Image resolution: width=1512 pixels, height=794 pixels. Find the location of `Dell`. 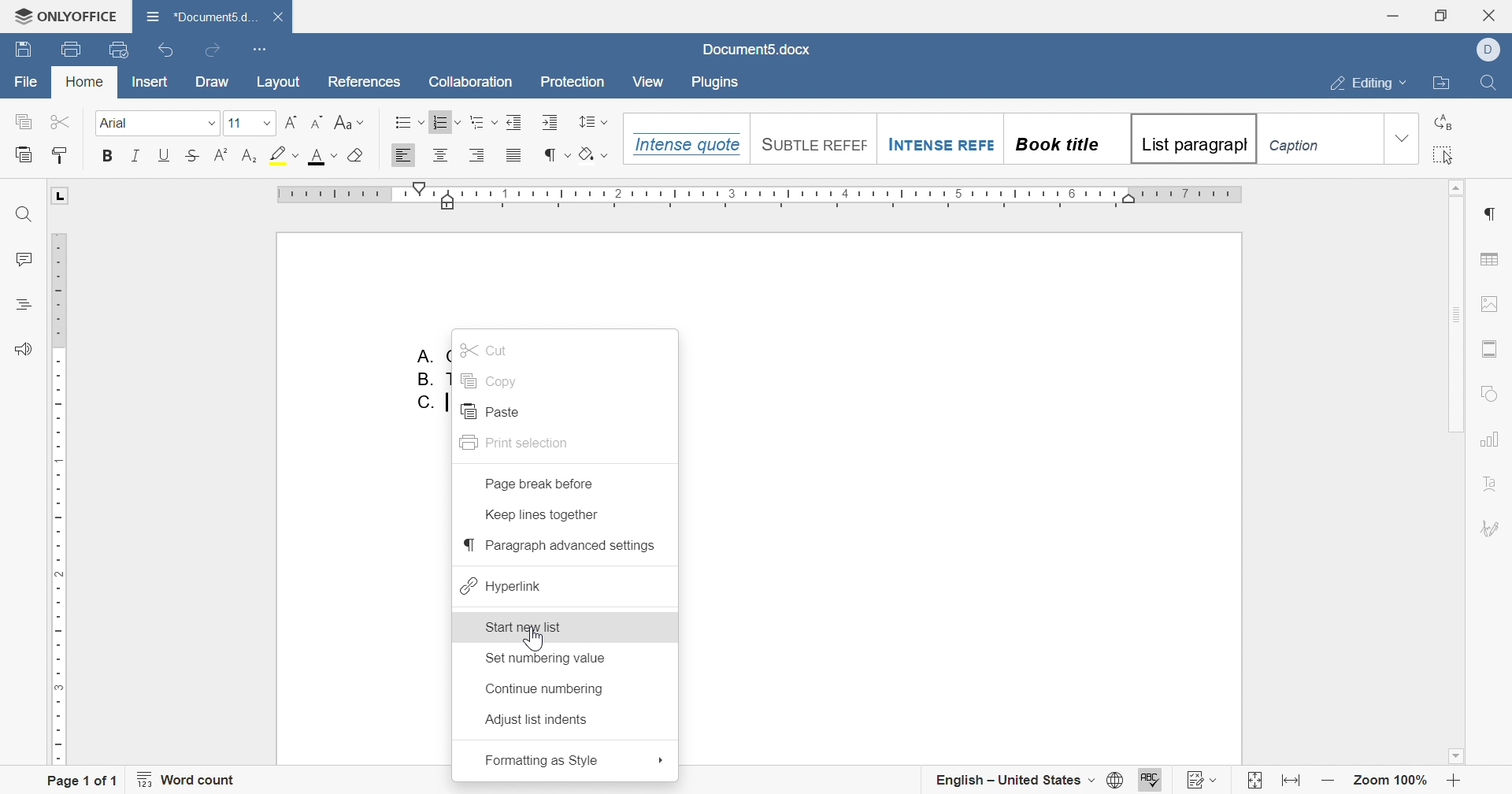

Dell is located at coordinates (1492, 48).